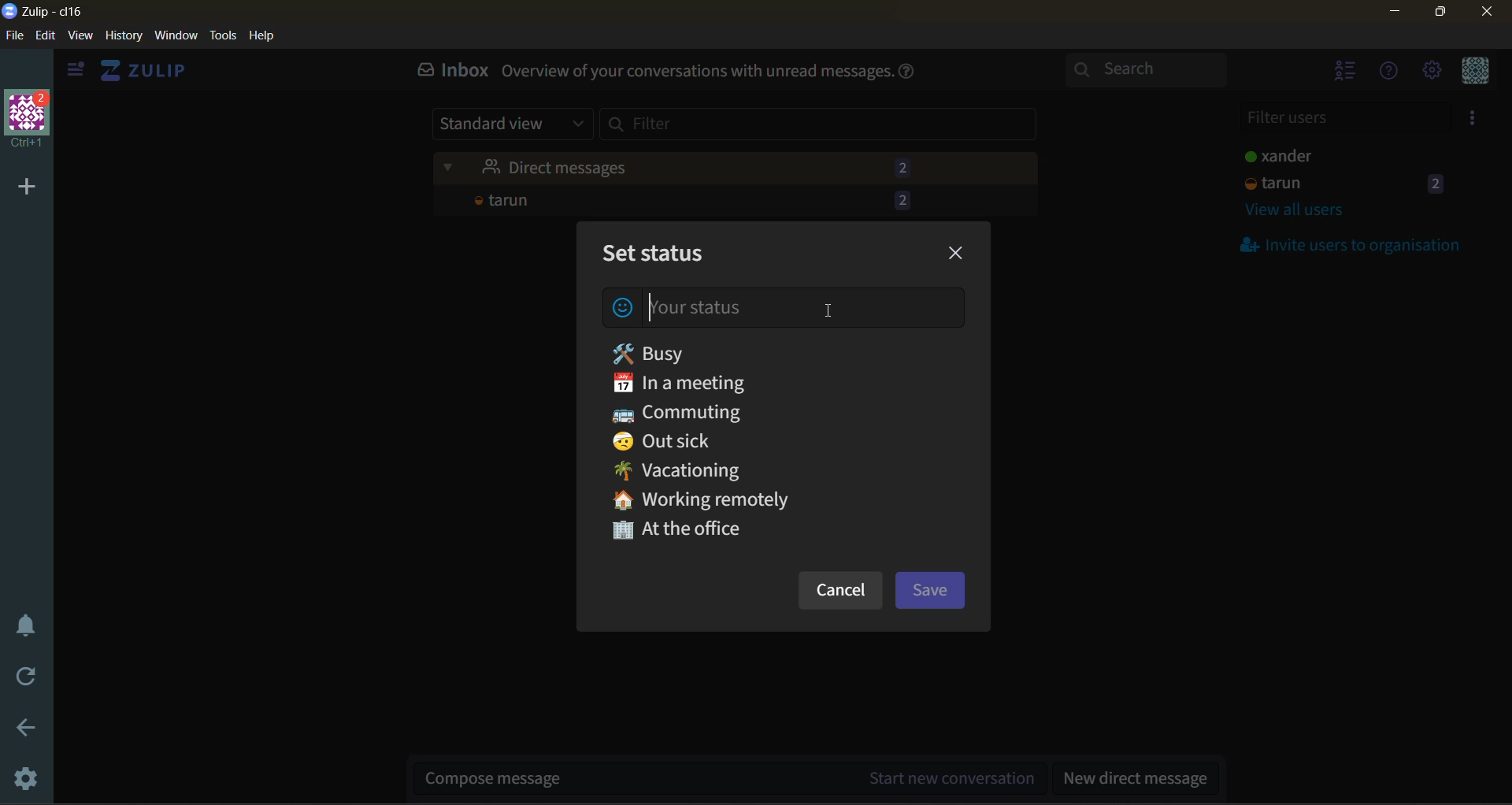  What do you see at coordinates (1392, 75) in the screenshot?
I see `help menu` at bounding box center [1392, 75].